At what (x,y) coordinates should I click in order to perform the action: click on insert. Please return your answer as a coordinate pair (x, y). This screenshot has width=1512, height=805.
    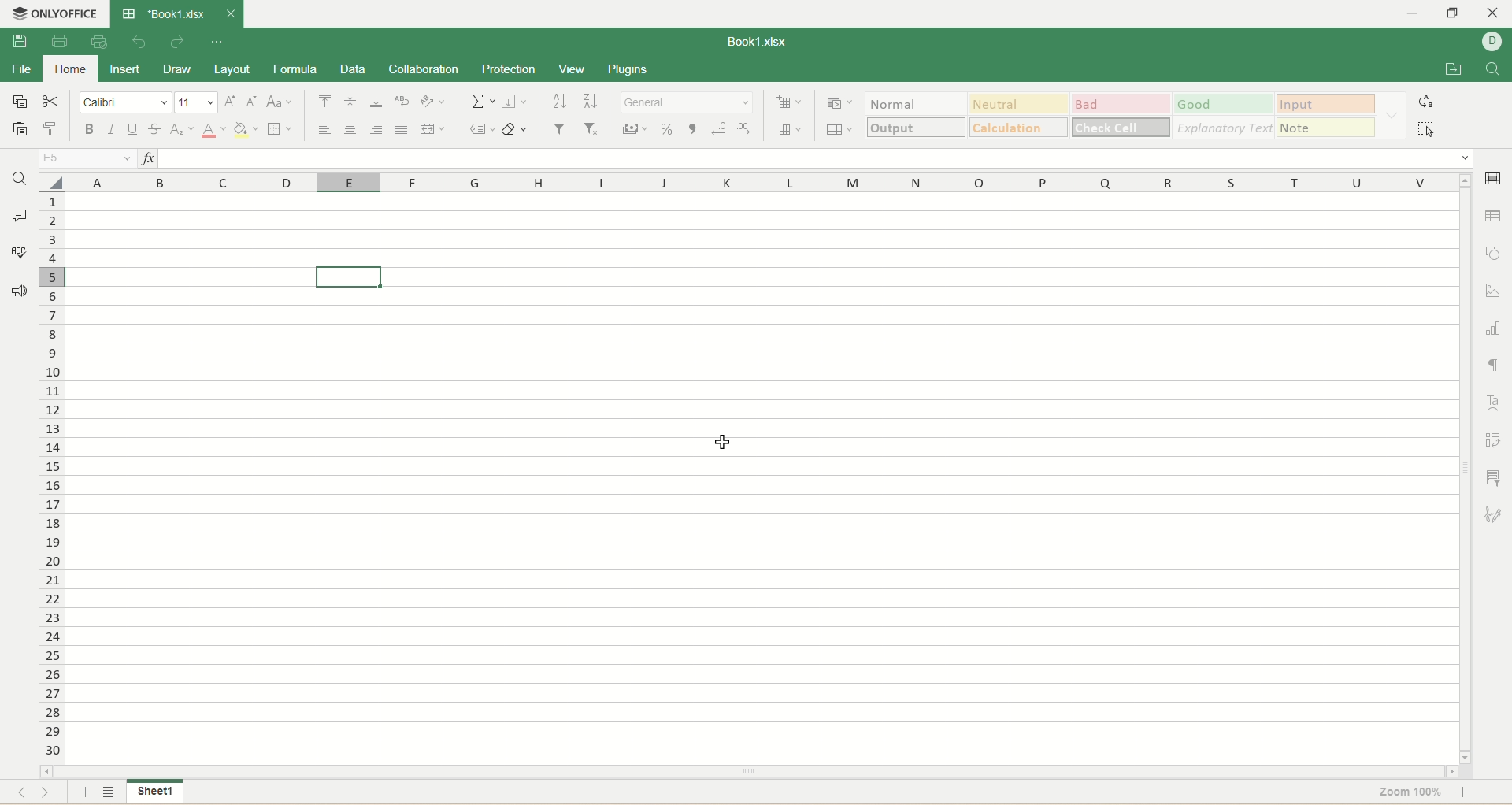
    Looking at the image, I should click on (126, 69).